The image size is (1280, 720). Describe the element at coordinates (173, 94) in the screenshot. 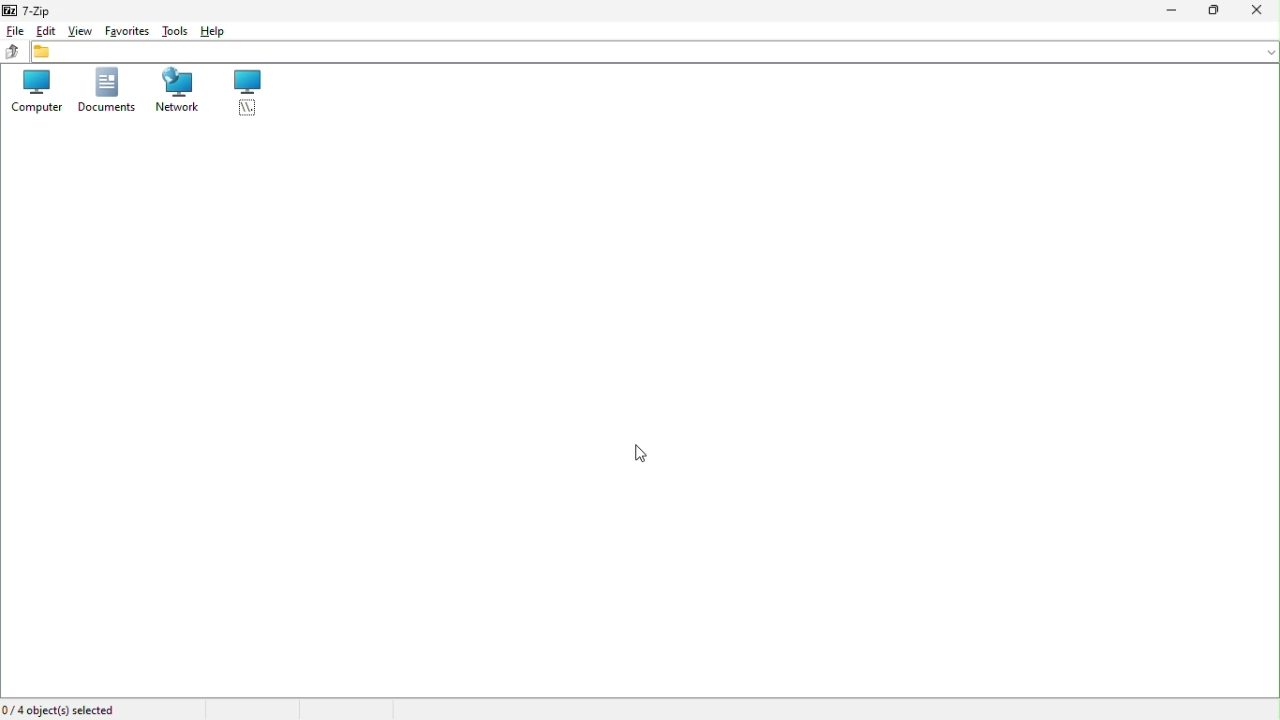

I see `network` at that location.